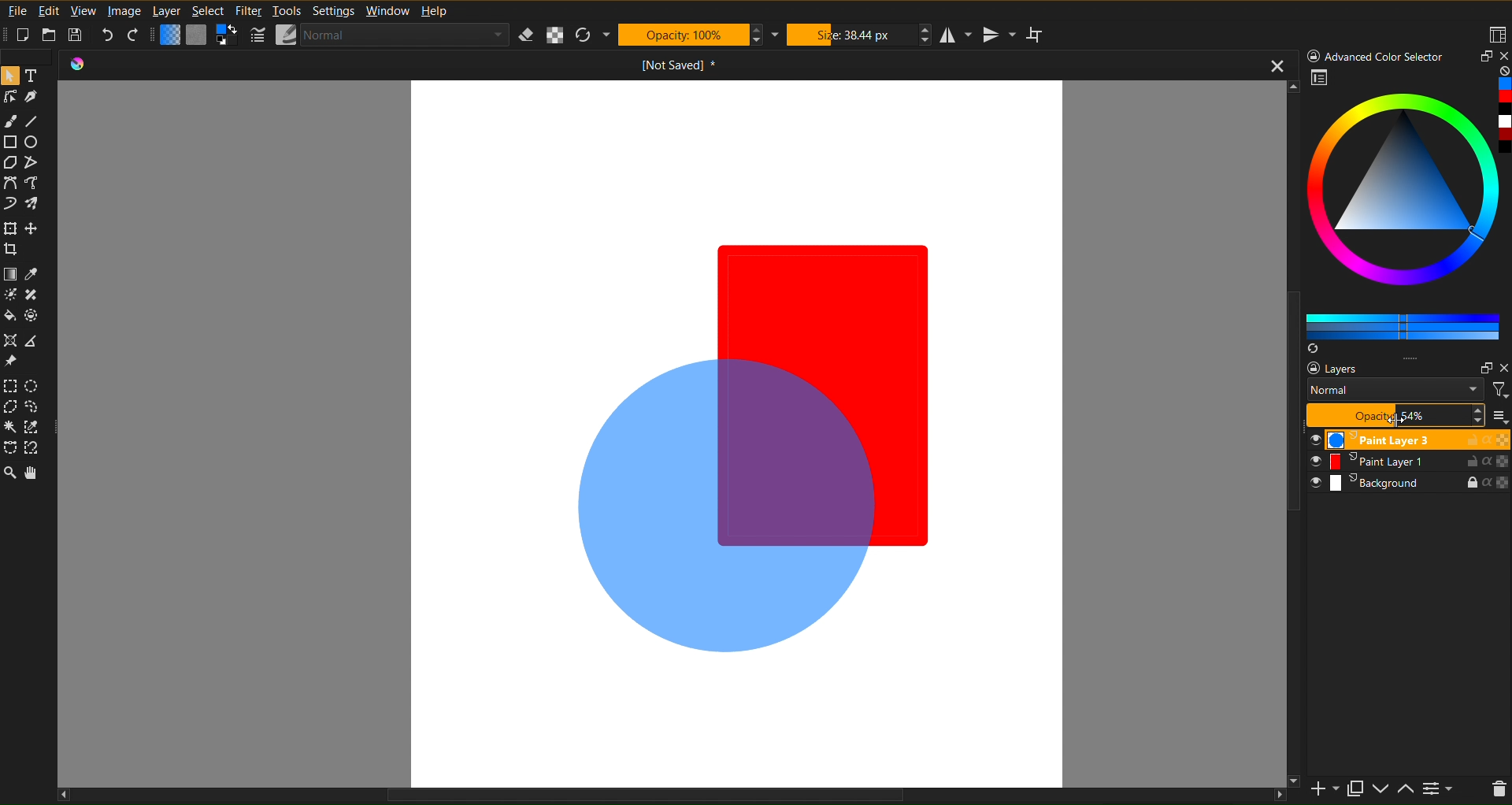  I want to click on Opacity, so click(1396, 414).